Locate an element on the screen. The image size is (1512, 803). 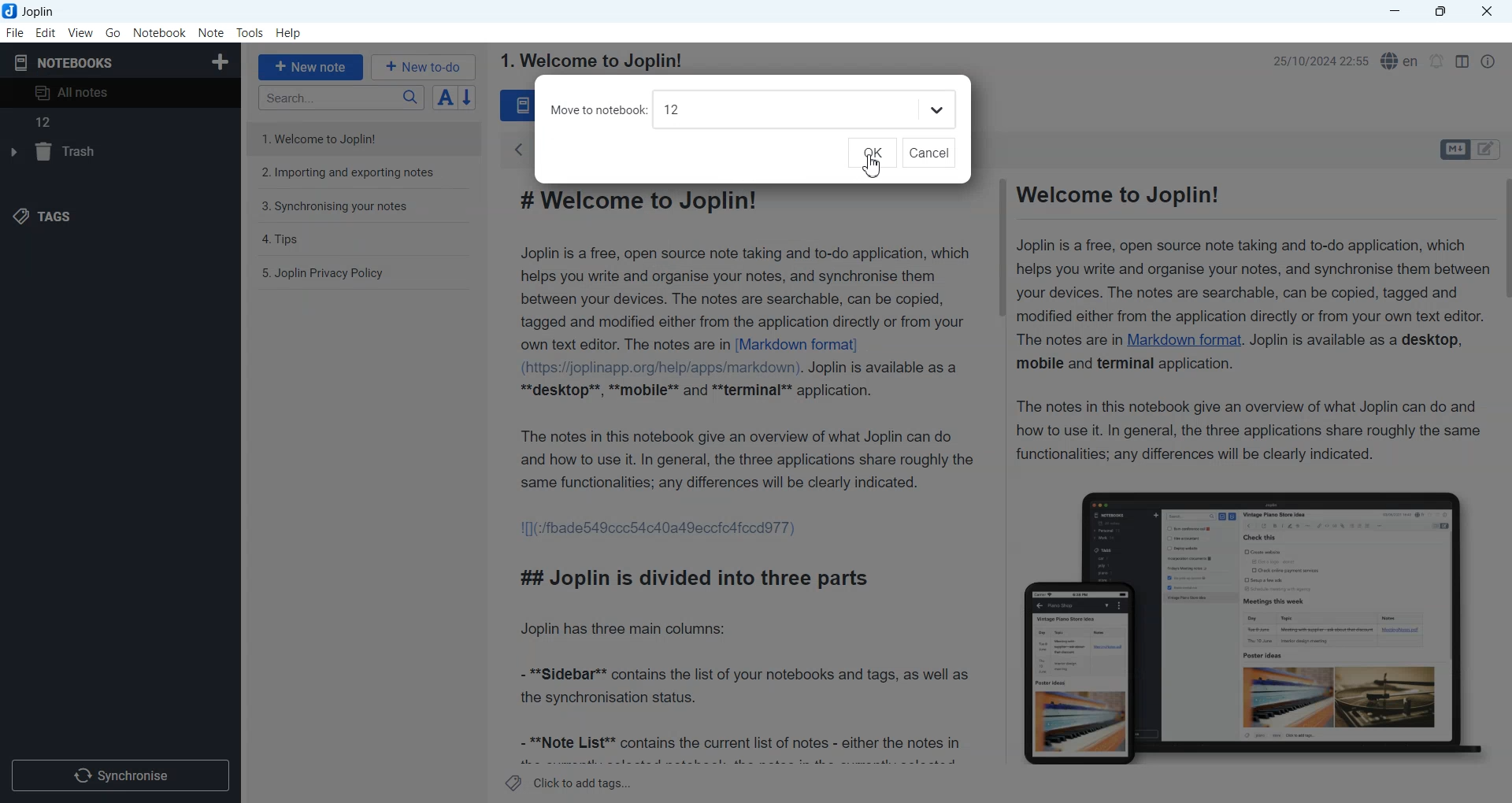
Toggle editors is located at coordinates (1489, 150).